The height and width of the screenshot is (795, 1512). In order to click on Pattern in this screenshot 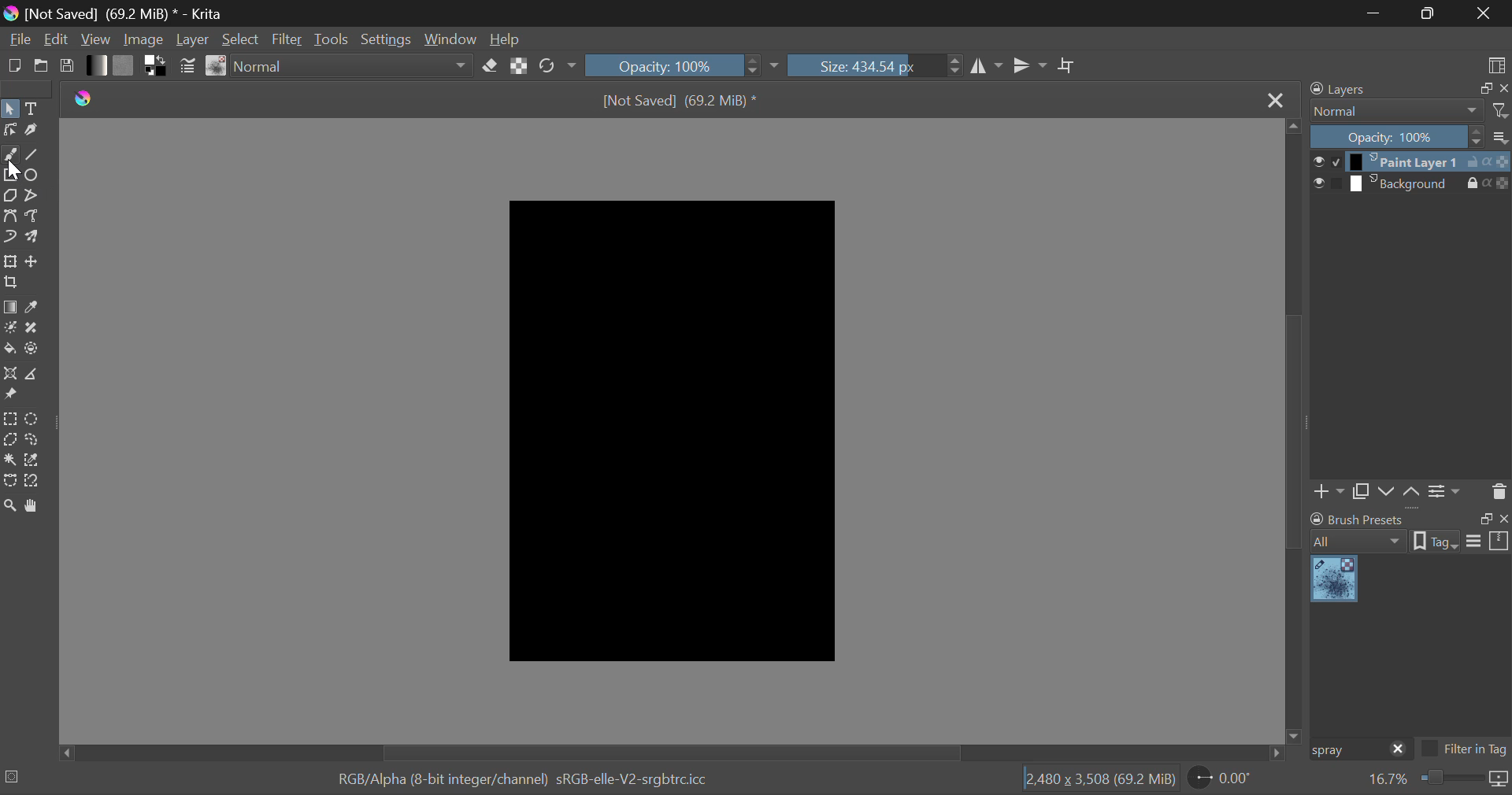, I will do `click(124, 65)`.